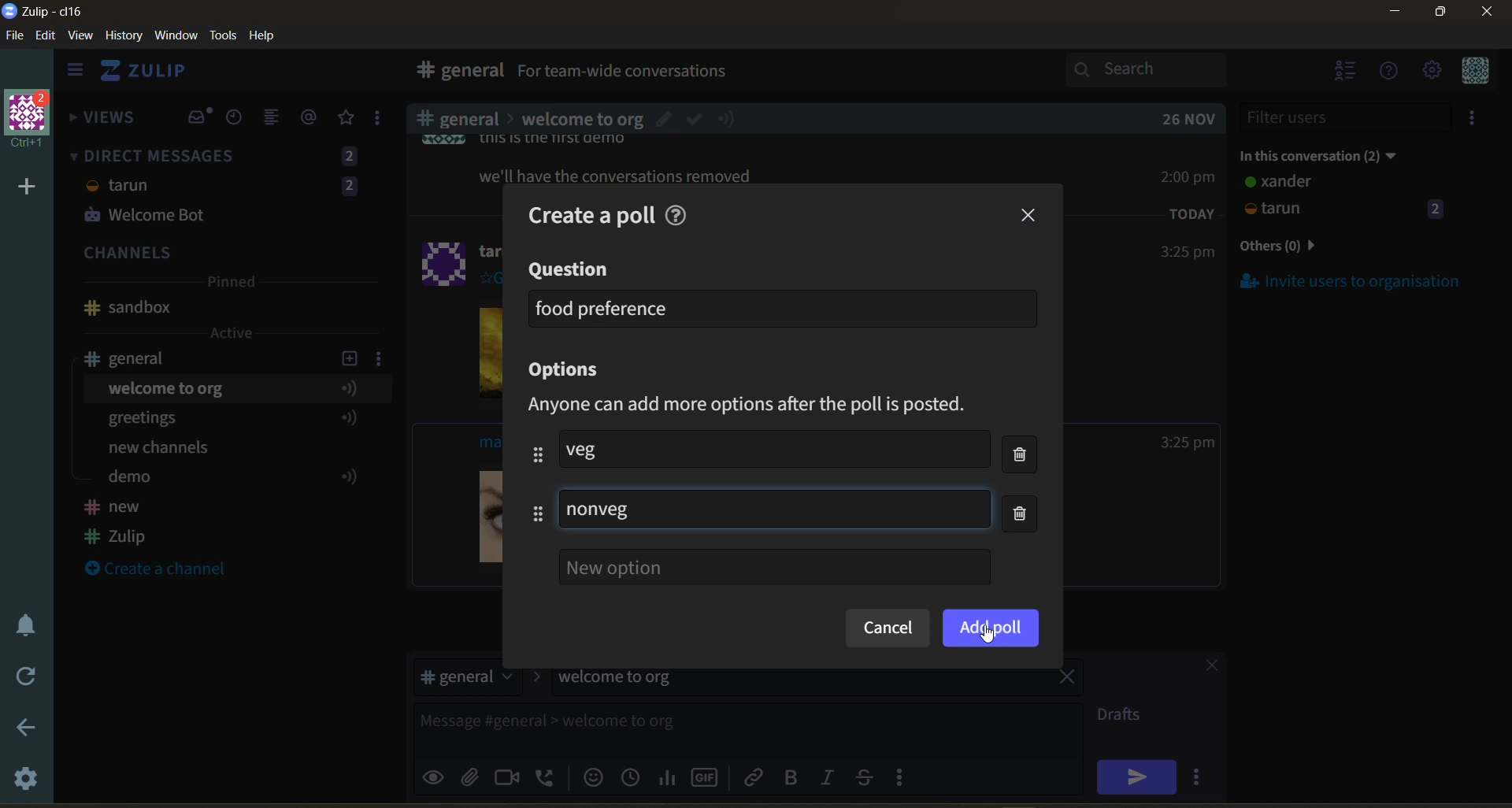  Describe the element at coordinates (22, 623) in the screenshot. I see `enable do not disturb` at that location.